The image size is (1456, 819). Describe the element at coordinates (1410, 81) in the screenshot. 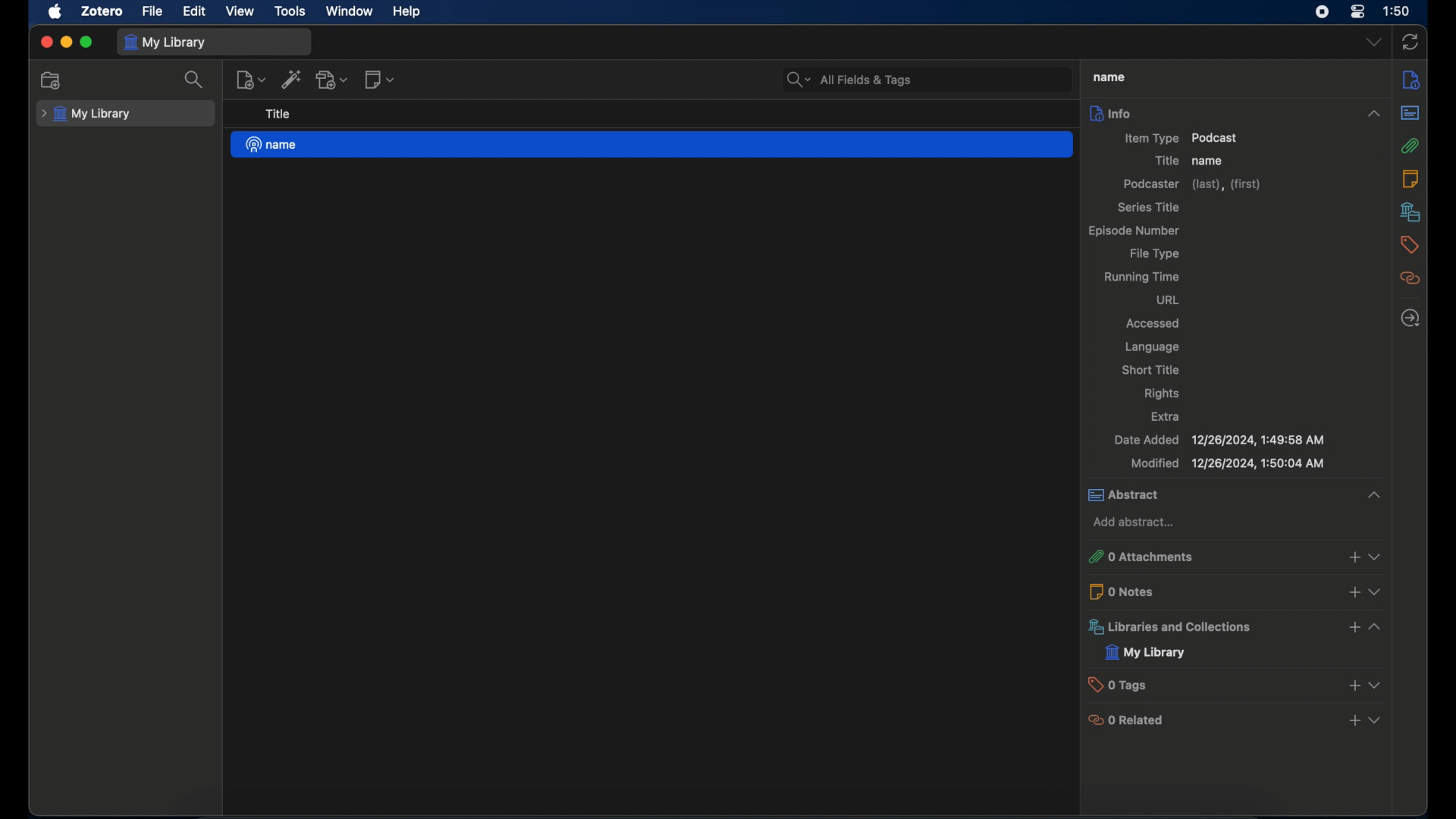

I see `info` at that location.